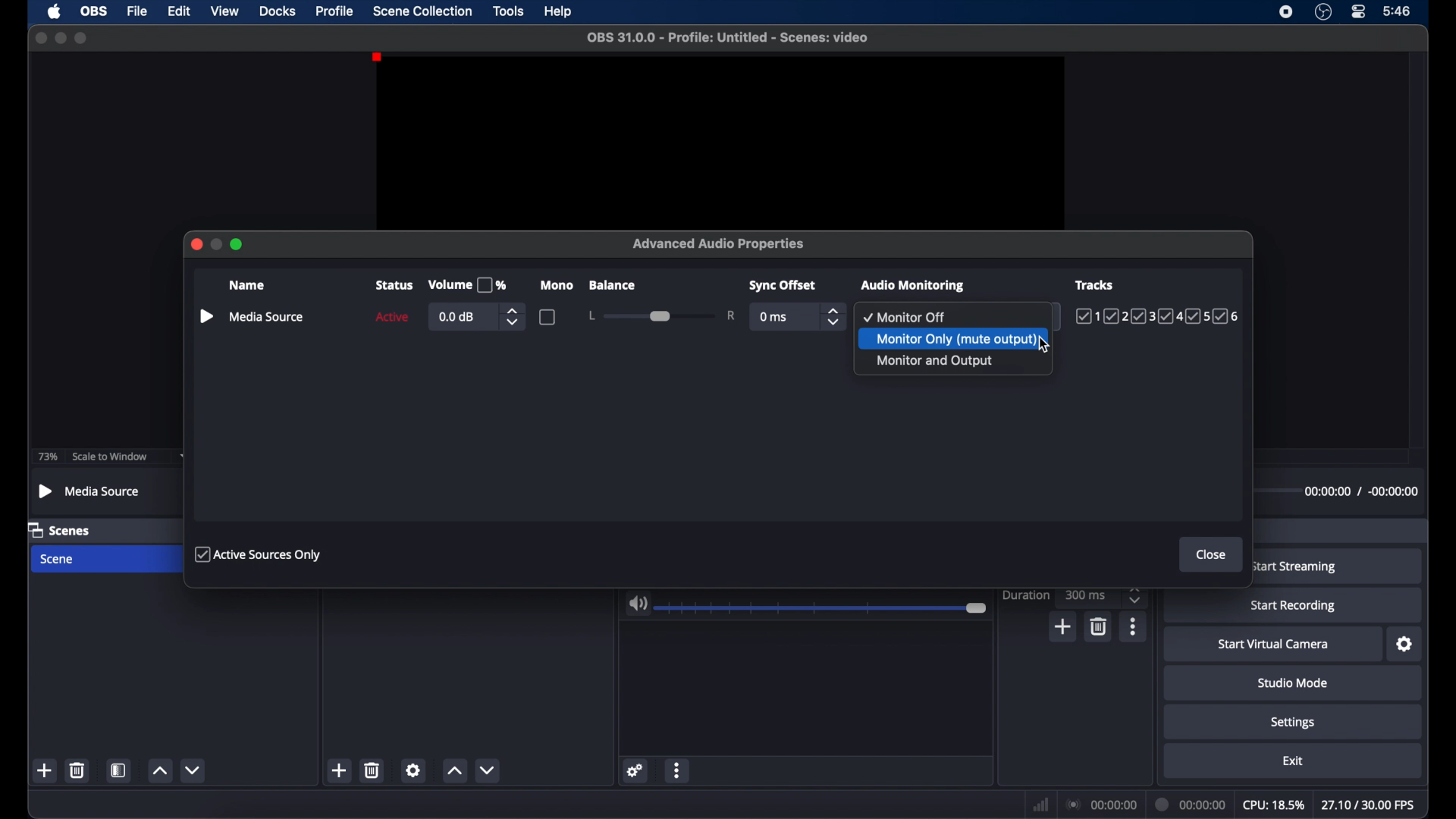 This screenshot has height=819, width=1456. What do you see at coordinates (224, 11) in the screenshot?
I see `view` at bounding box center [224, 11].